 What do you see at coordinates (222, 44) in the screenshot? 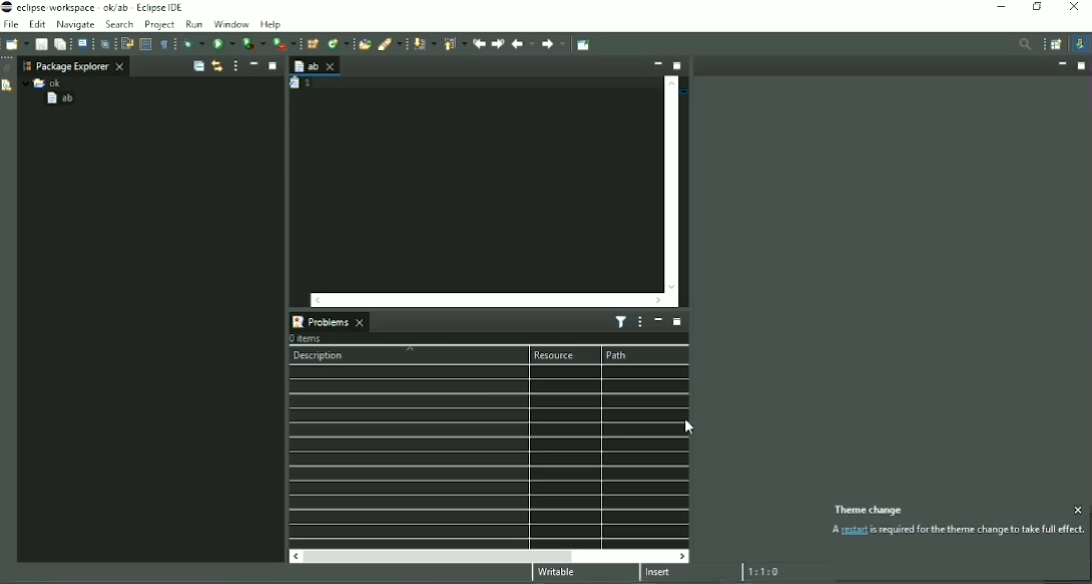
I see `Run` at bounding box center [222, 44].